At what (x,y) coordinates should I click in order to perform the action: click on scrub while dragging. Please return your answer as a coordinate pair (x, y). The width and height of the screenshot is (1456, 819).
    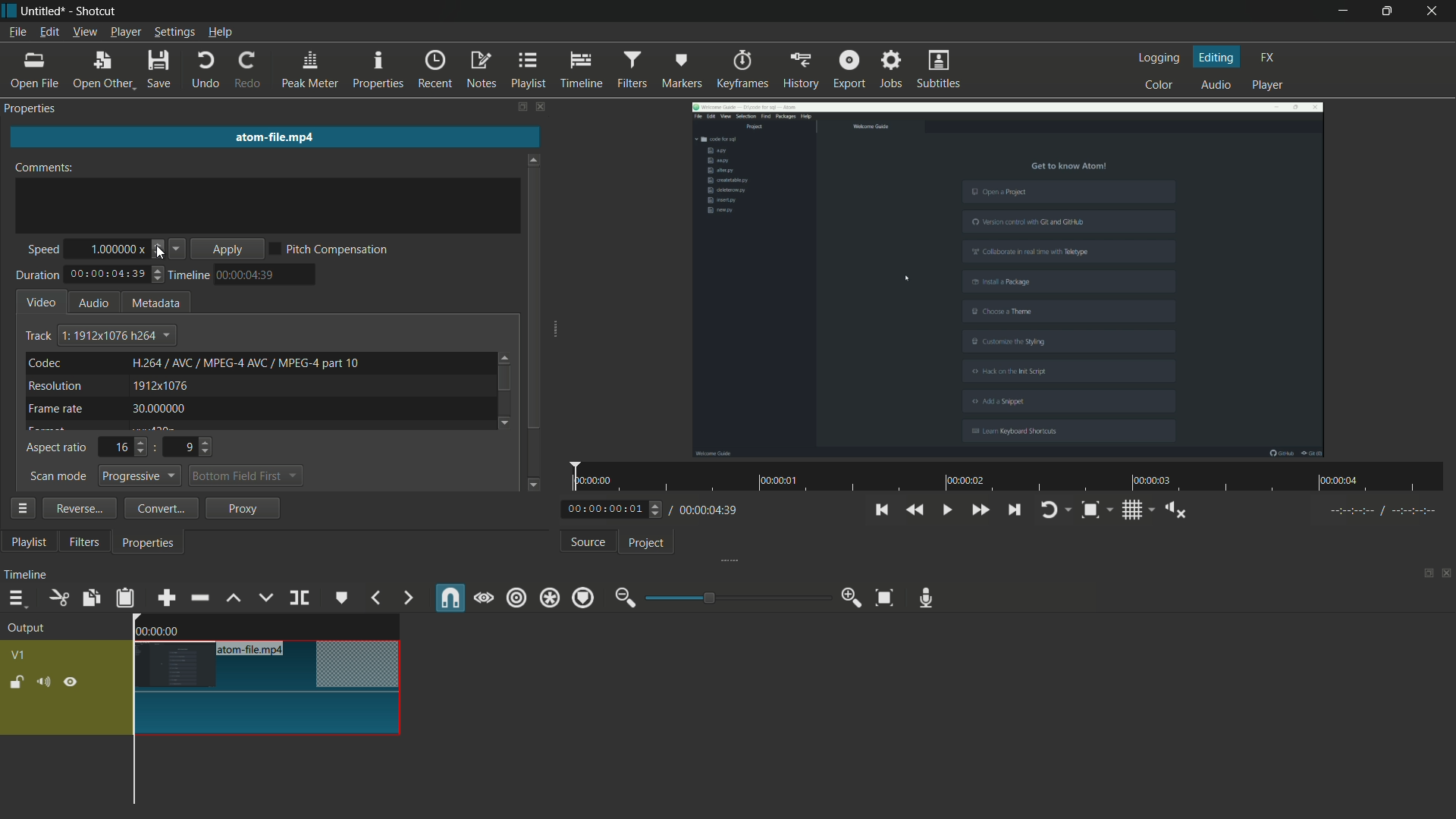
    Looking at the image, I should click on (483, 599).